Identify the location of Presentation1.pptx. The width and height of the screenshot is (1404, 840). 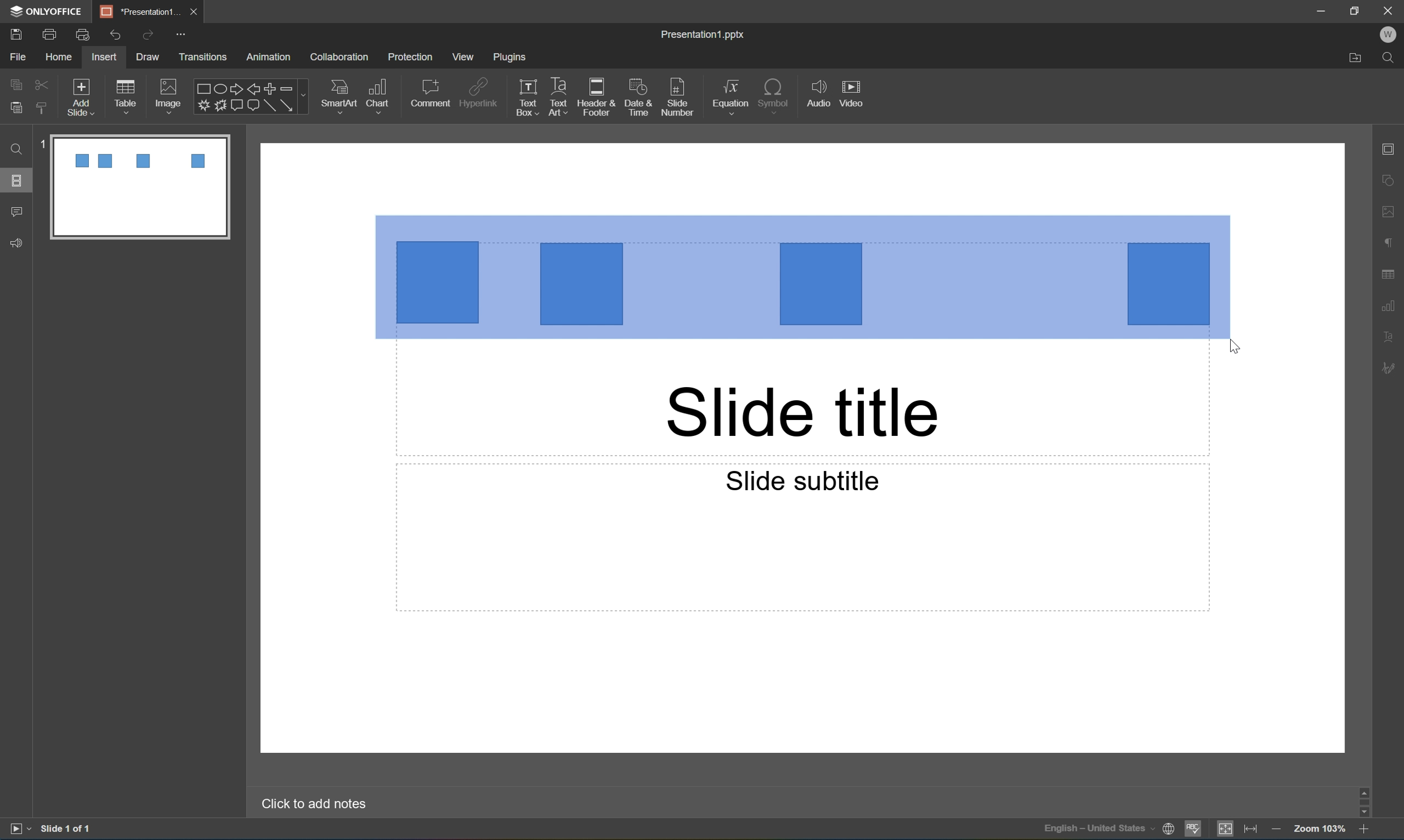
(704, 36).